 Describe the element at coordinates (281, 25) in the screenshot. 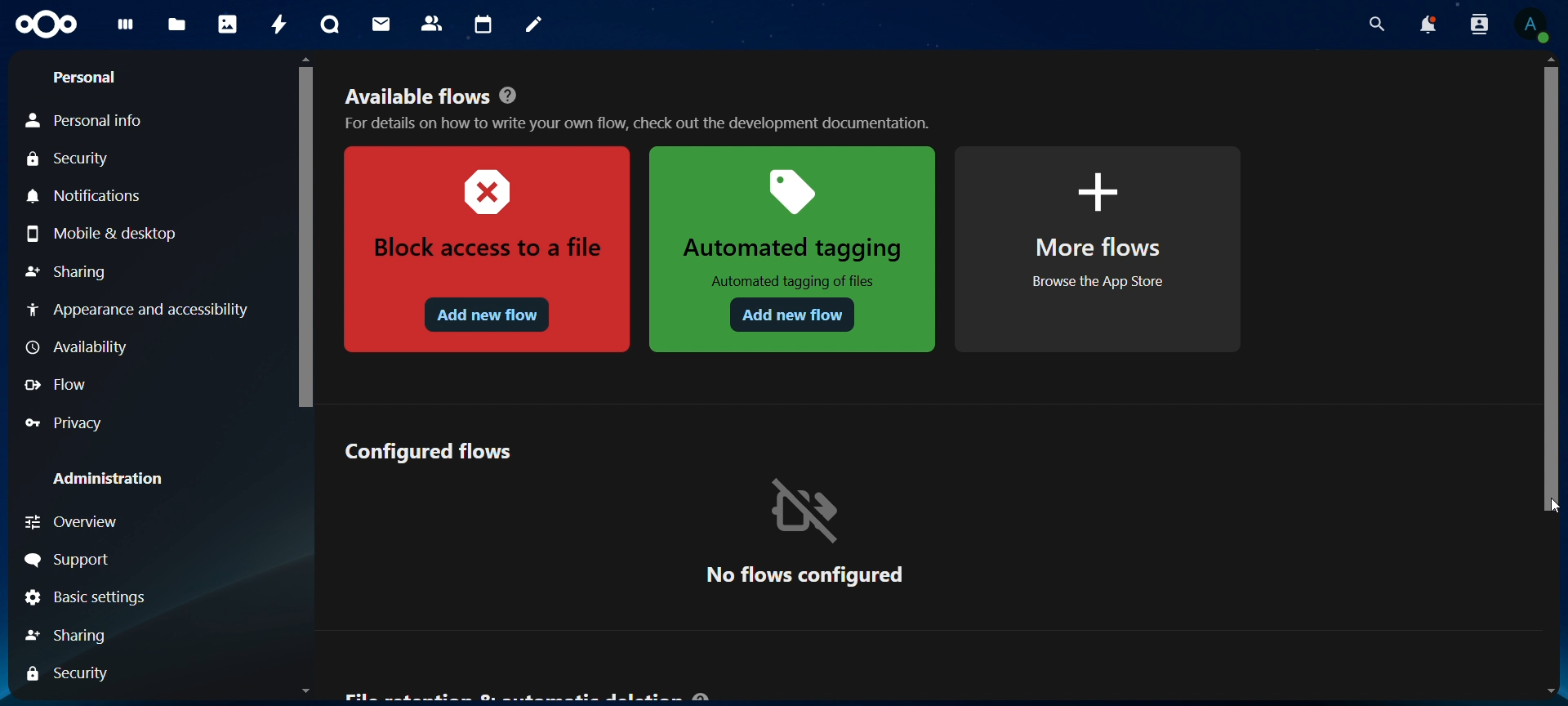

I see `activity` at that location.